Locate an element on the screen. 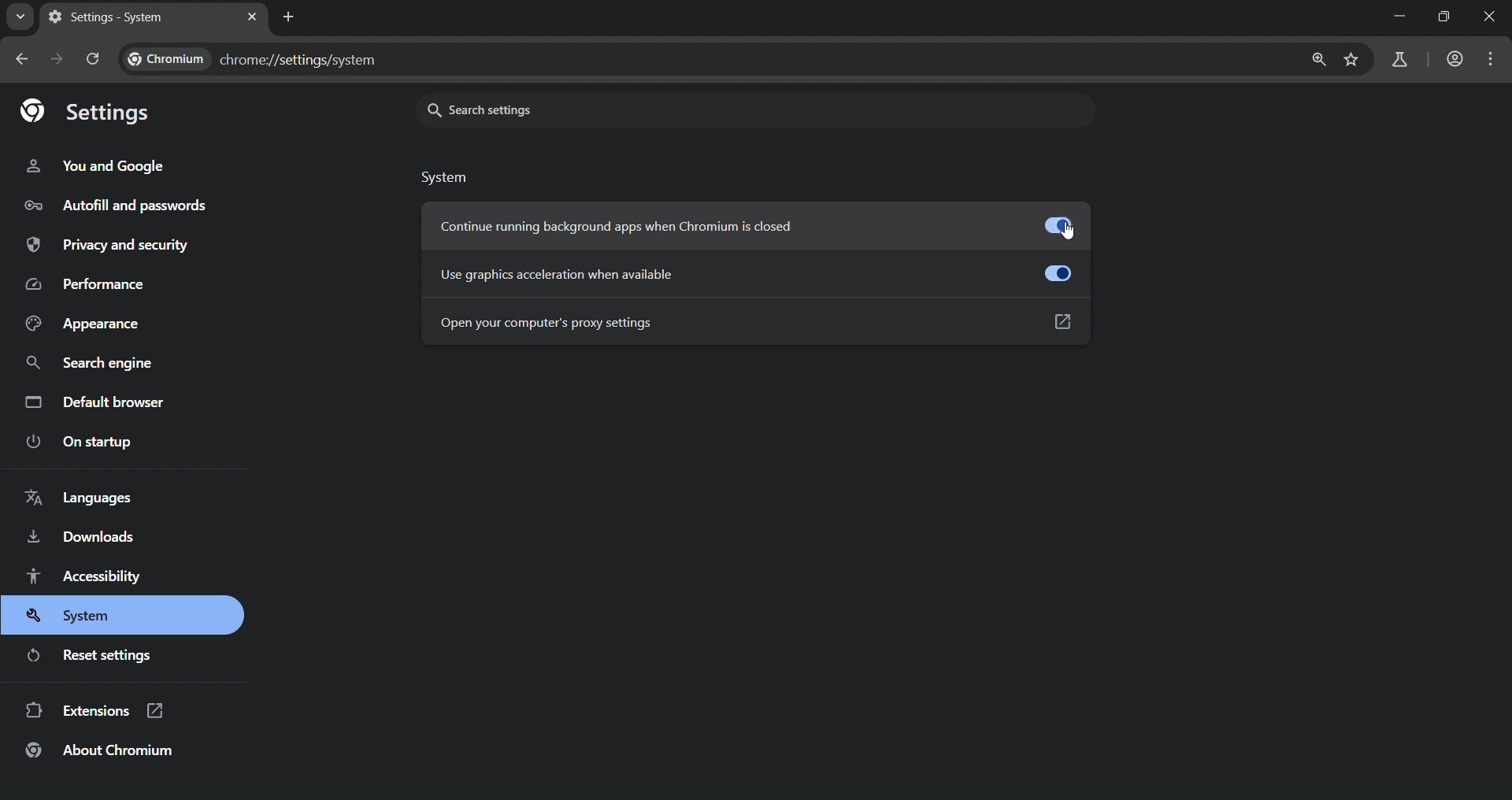 The width and height of the screenshot is (1512, 800). go back one page is located at coordinates (20, 61).